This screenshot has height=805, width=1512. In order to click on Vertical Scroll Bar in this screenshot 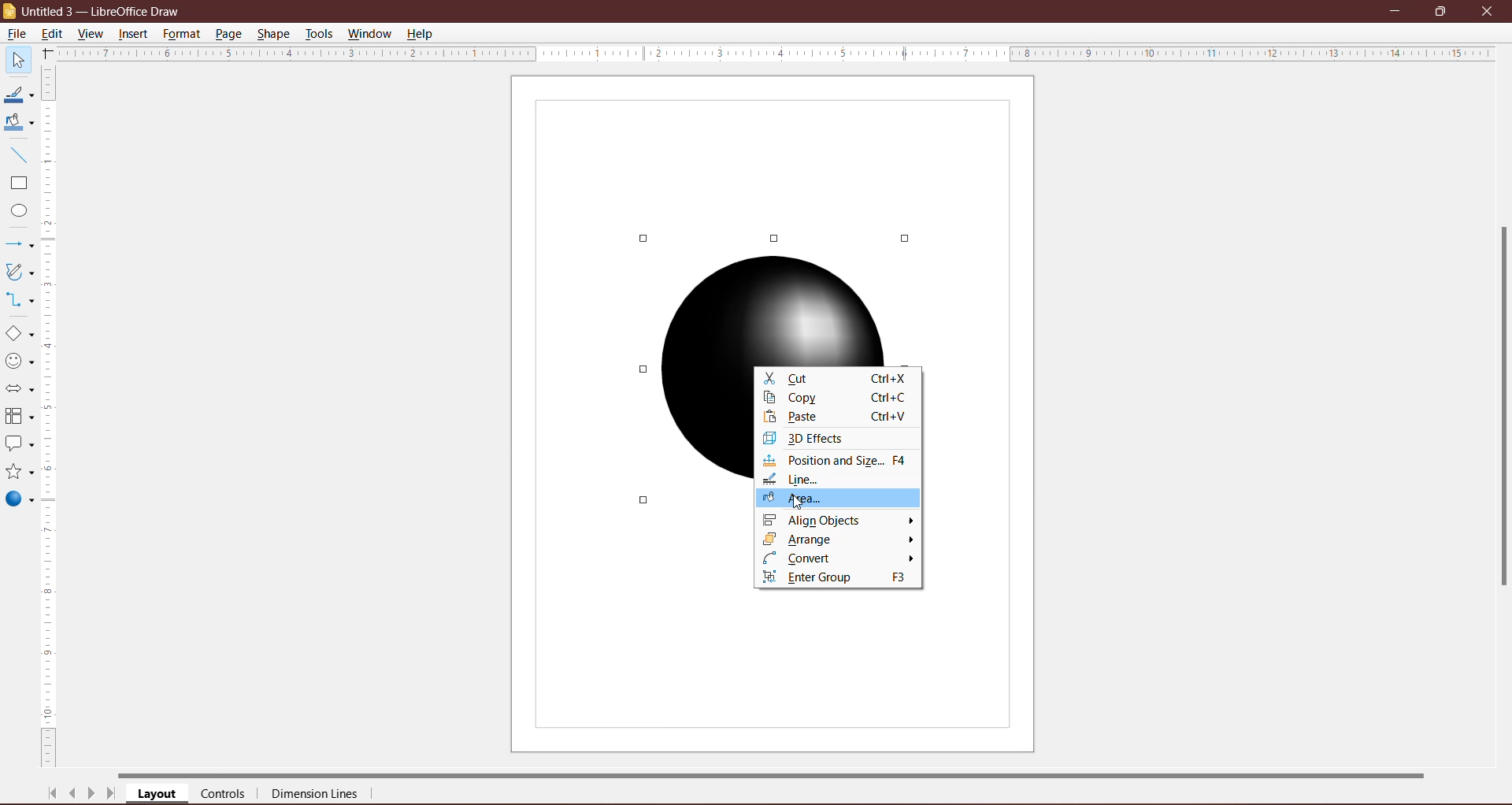, I will do `click(1499, 407)`.